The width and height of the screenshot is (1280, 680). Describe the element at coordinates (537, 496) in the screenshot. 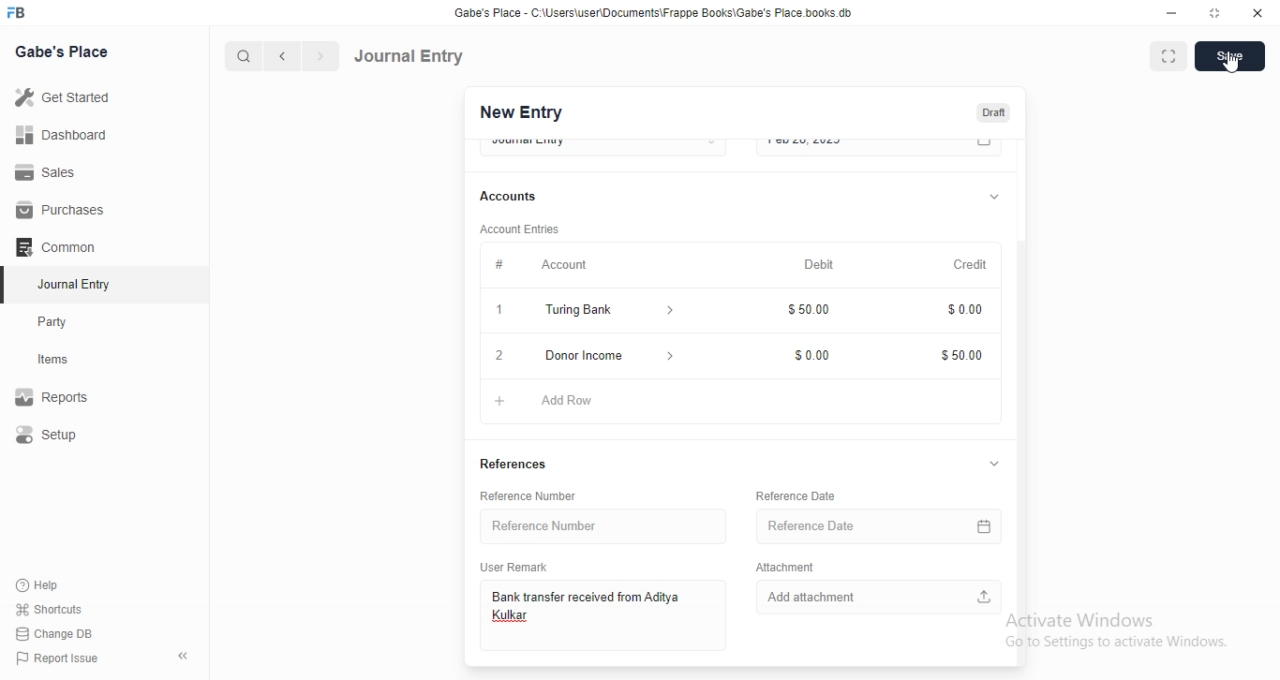

I see `Reference Number` at that location.